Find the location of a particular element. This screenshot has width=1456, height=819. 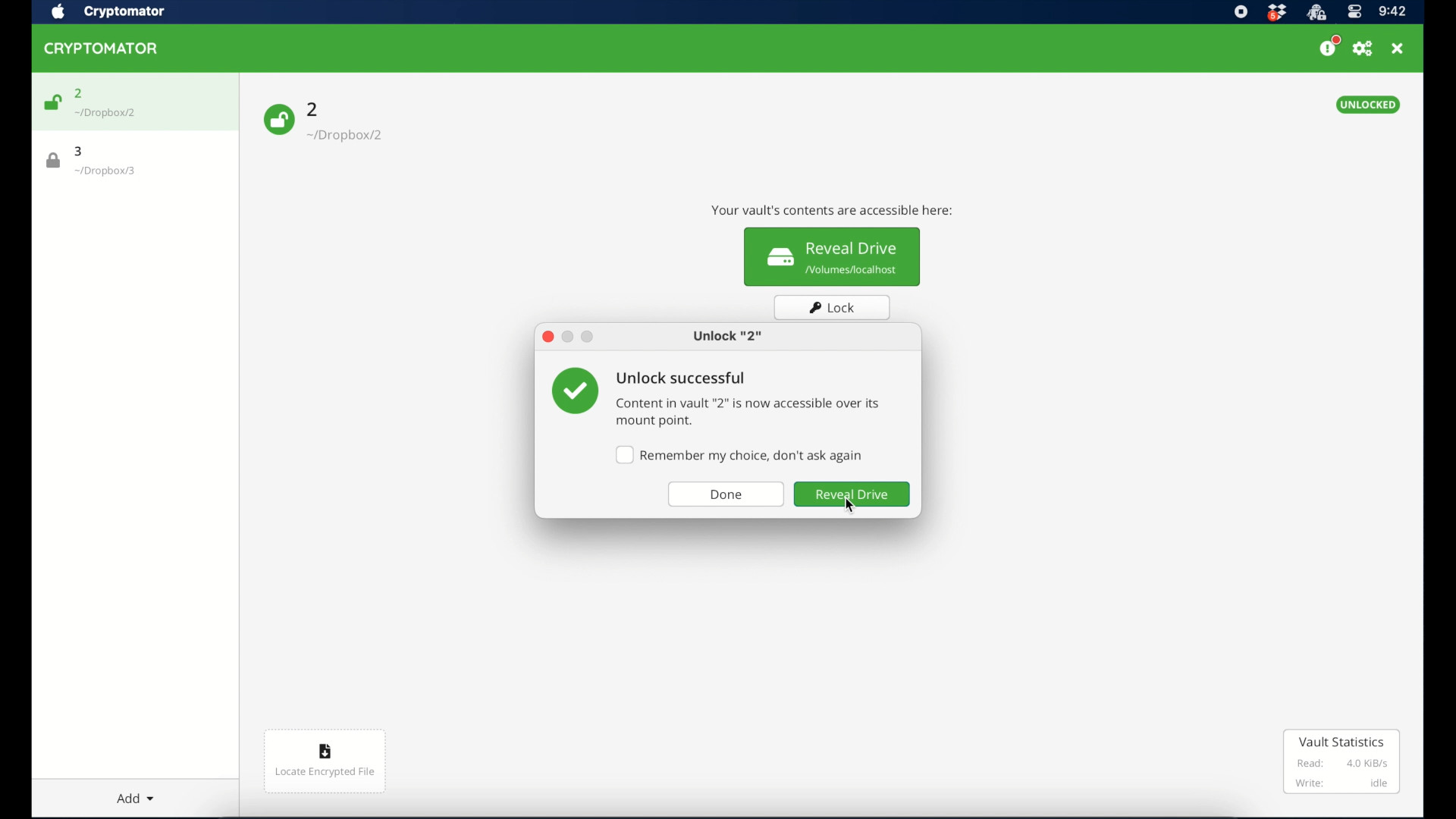

done is located at coordinates (726, 494).